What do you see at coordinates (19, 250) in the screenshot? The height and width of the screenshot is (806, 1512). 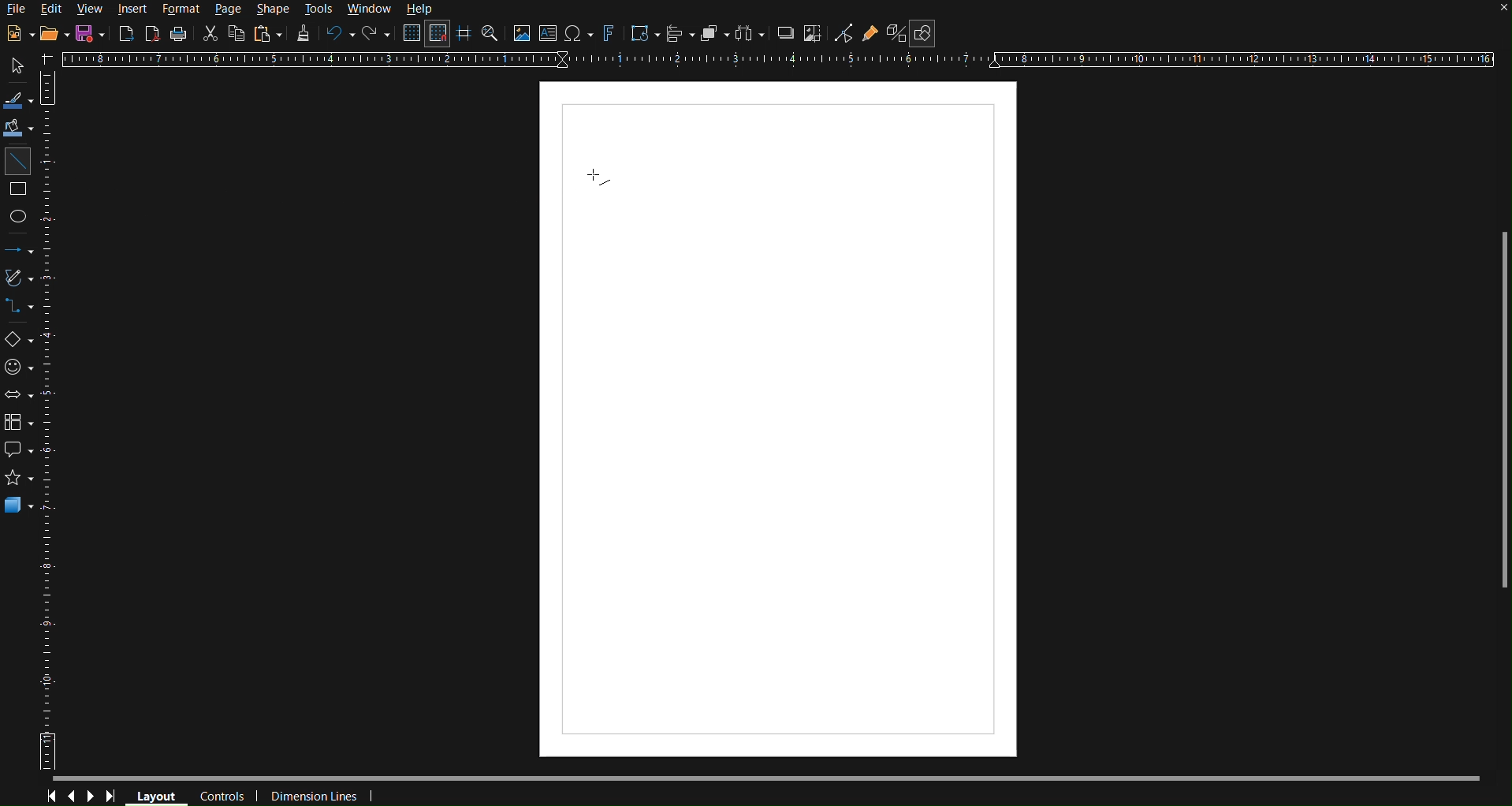 I see `Lines and Arrows` at bounding box center [19, 250].